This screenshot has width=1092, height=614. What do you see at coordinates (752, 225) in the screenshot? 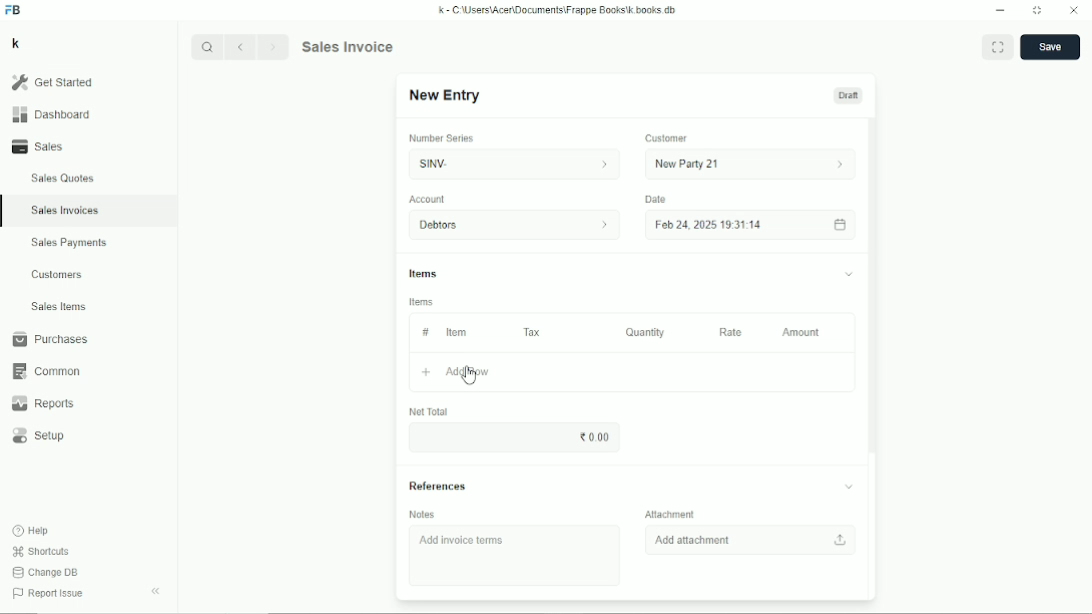
I see `Feb 24, 2025 19:31:14` at bounding box center [752, 225].